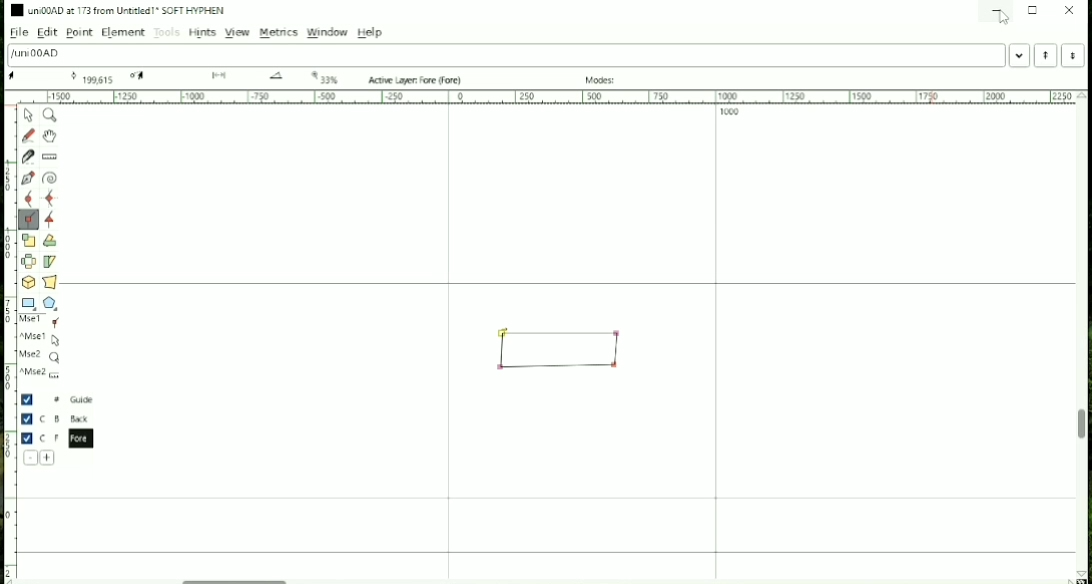 The width and height of the screenshot is (1092, 584). Describe the element at coordinates (50, 242) in the screenshot. I see `Rotate the selection` at that location.